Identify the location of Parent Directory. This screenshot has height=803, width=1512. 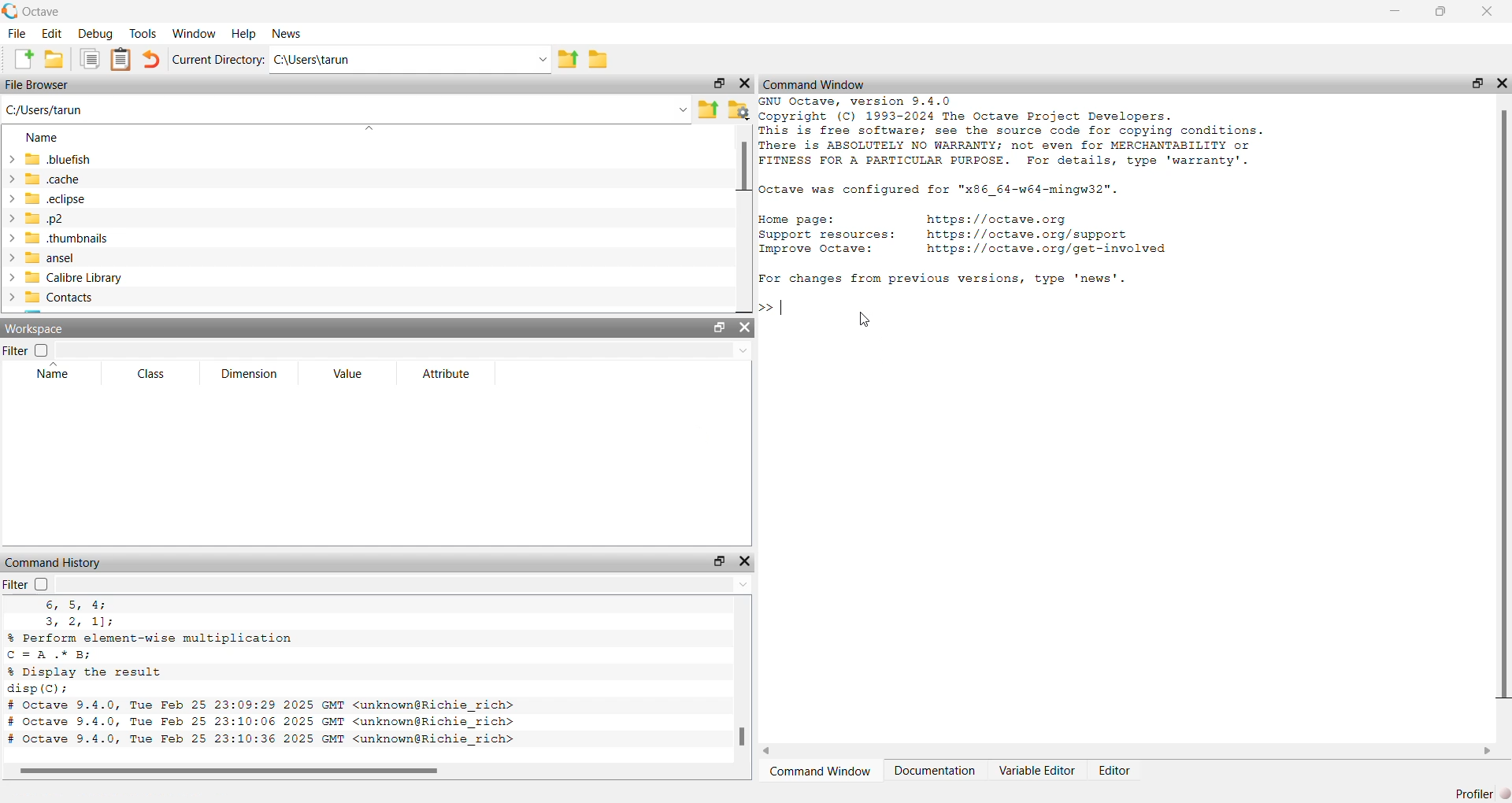
(710, 111).